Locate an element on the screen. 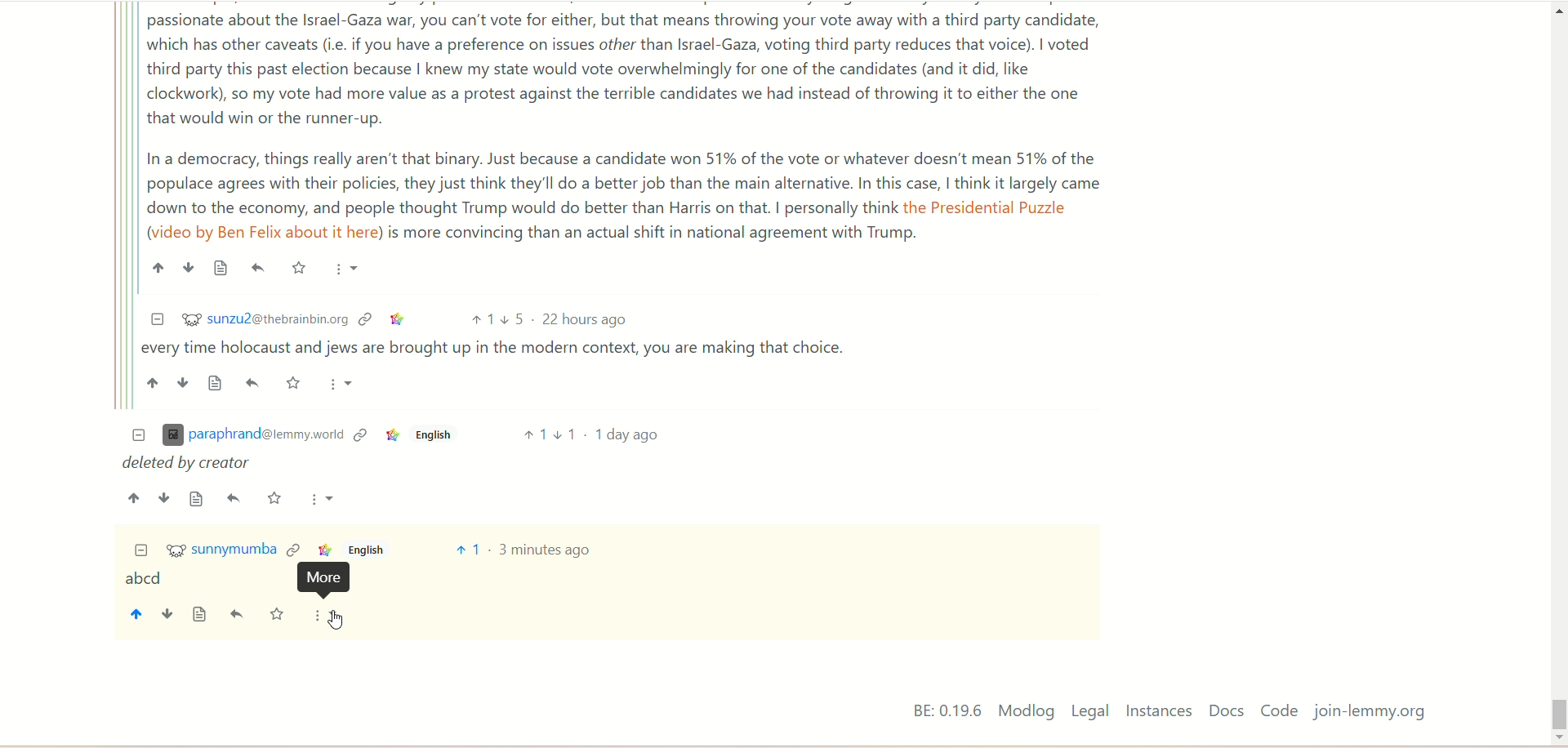 The image size is (1568, 748). Downvote 1 is located at coordinates (566, 434).